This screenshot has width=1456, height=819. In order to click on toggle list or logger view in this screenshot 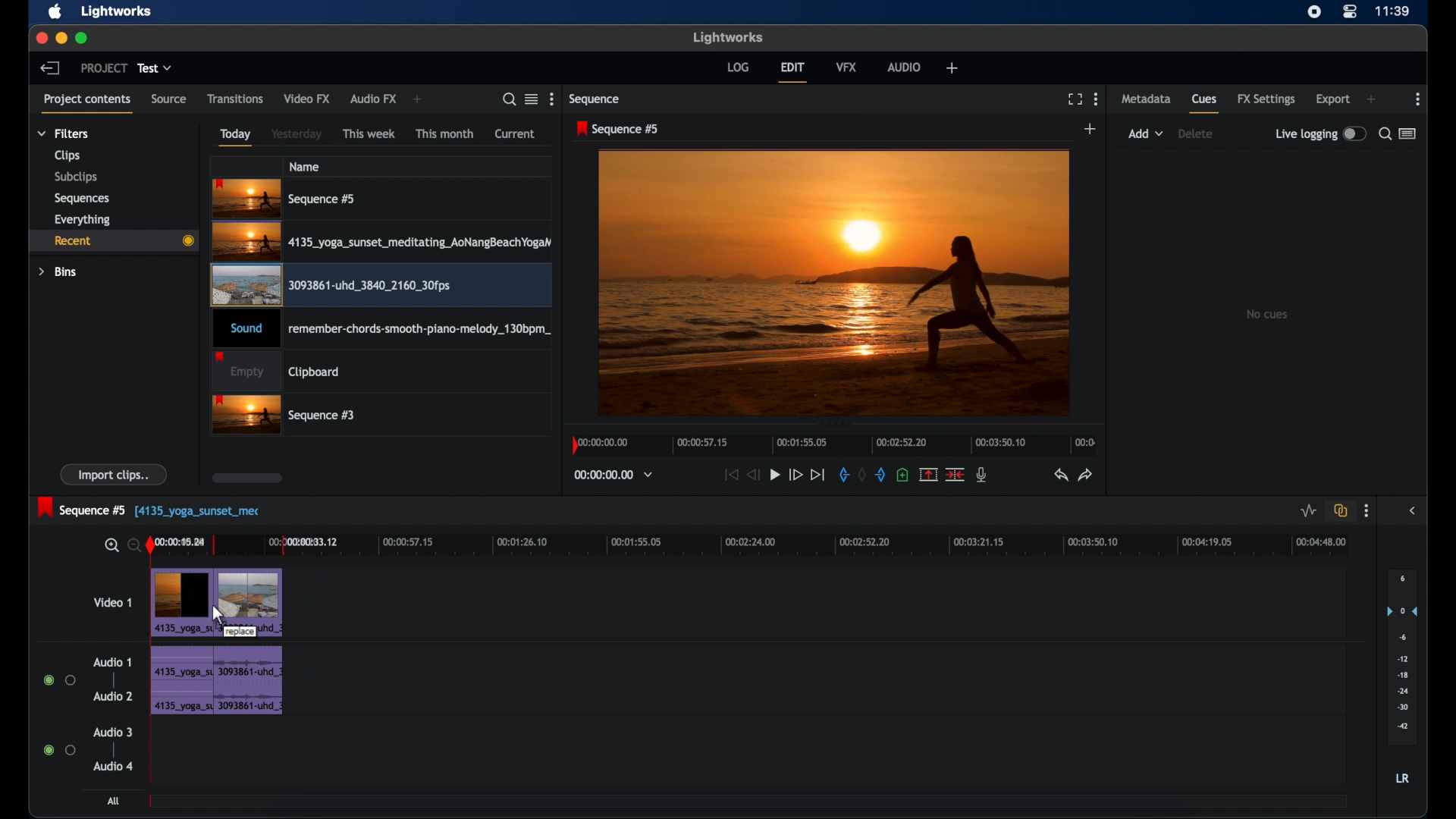, I will do `click(1410, 133)`.